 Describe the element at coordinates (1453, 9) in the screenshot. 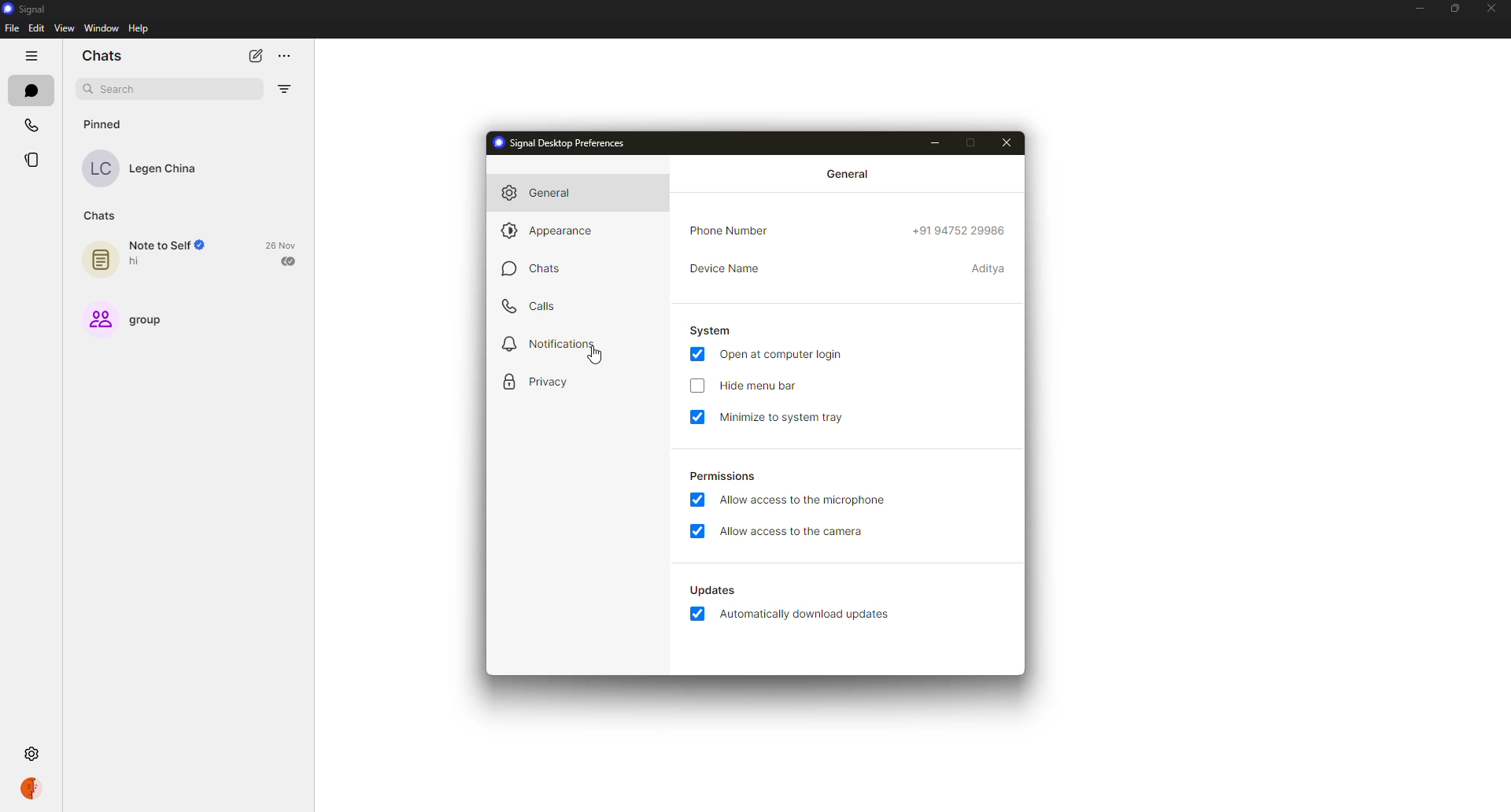

I see `maximize` at that location.